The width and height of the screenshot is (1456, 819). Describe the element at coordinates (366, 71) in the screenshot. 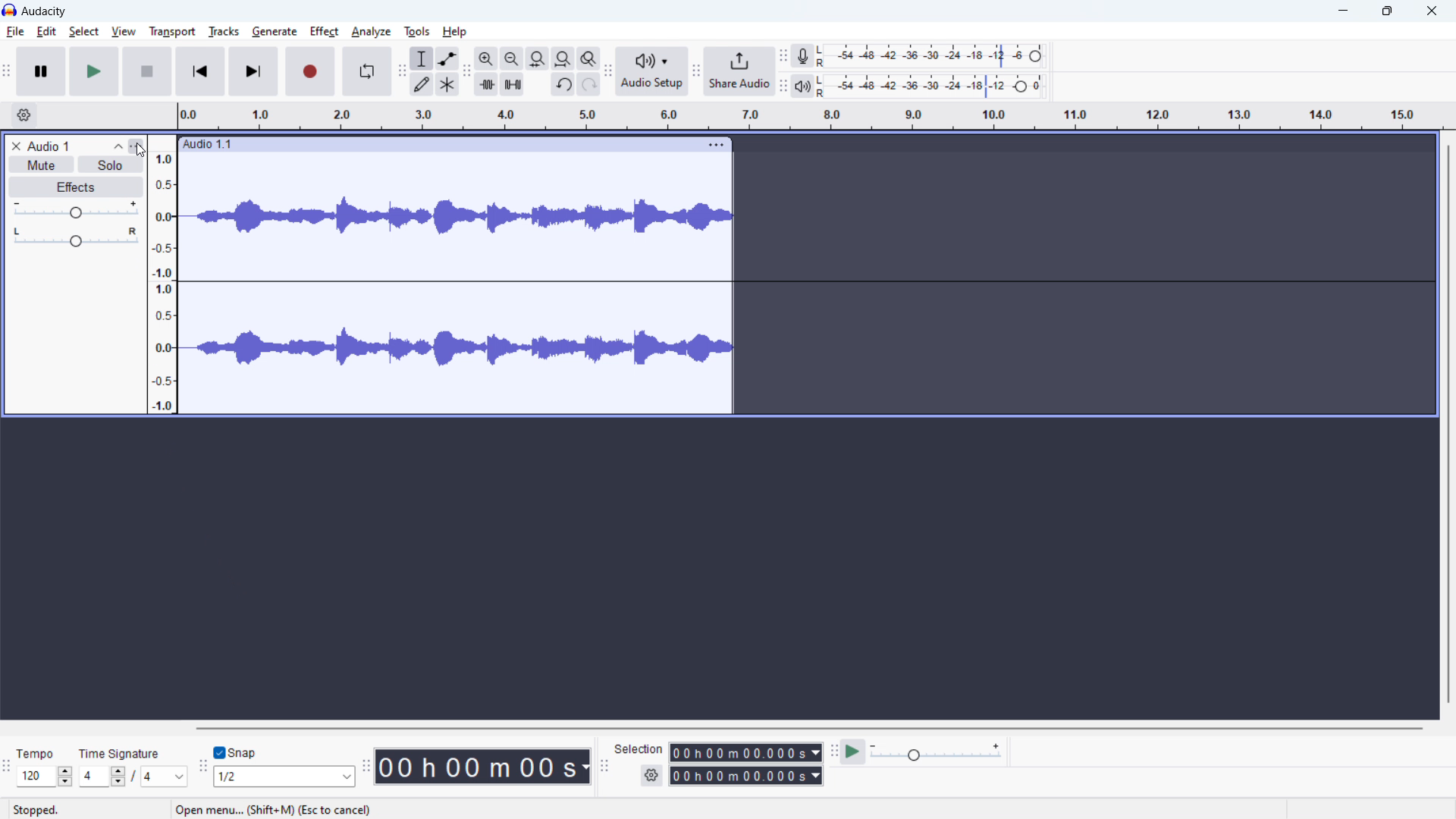

I see `enable loop` at that location.